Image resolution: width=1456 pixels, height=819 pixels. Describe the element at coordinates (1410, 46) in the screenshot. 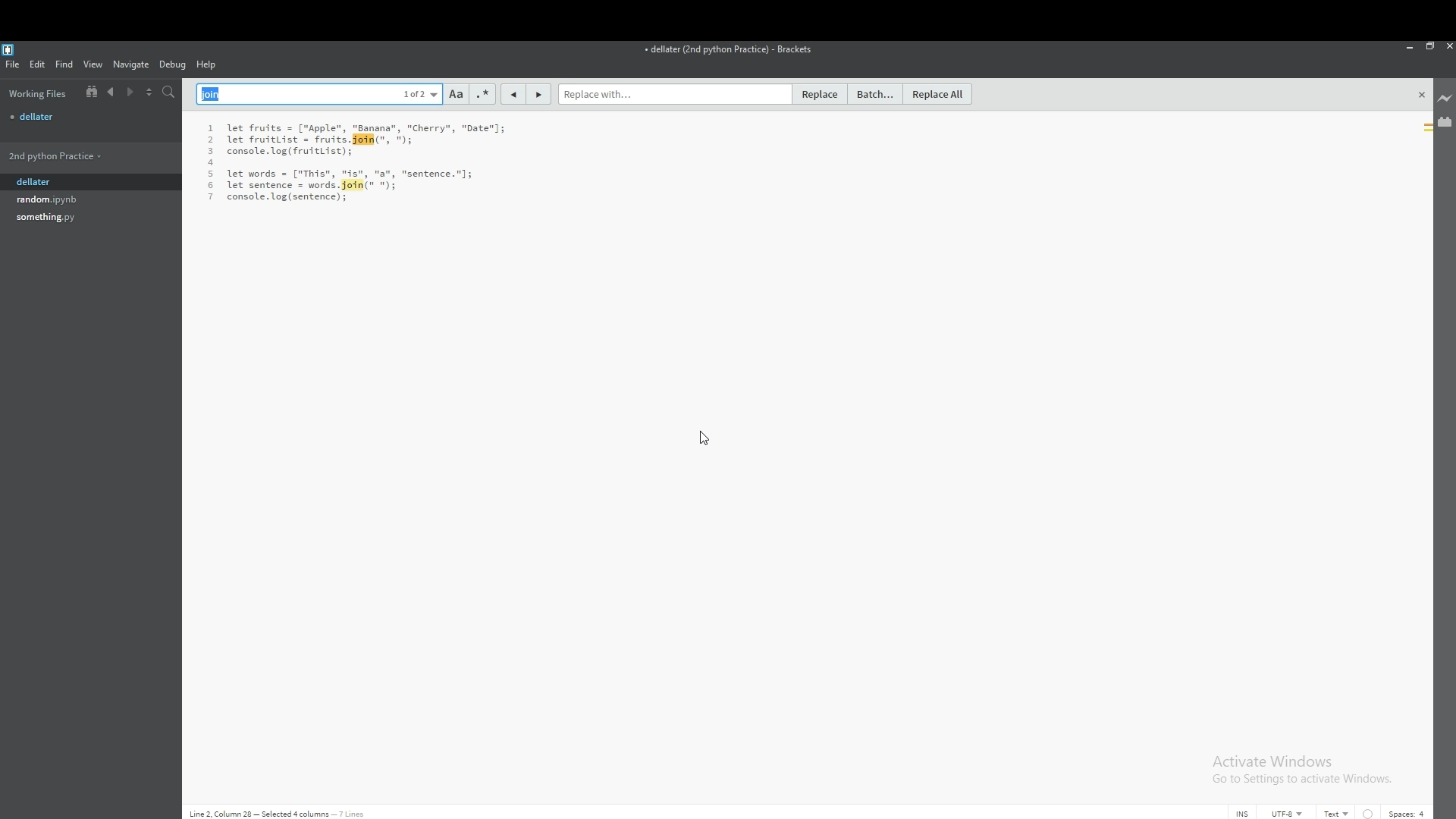

I see `minimize` at that location.